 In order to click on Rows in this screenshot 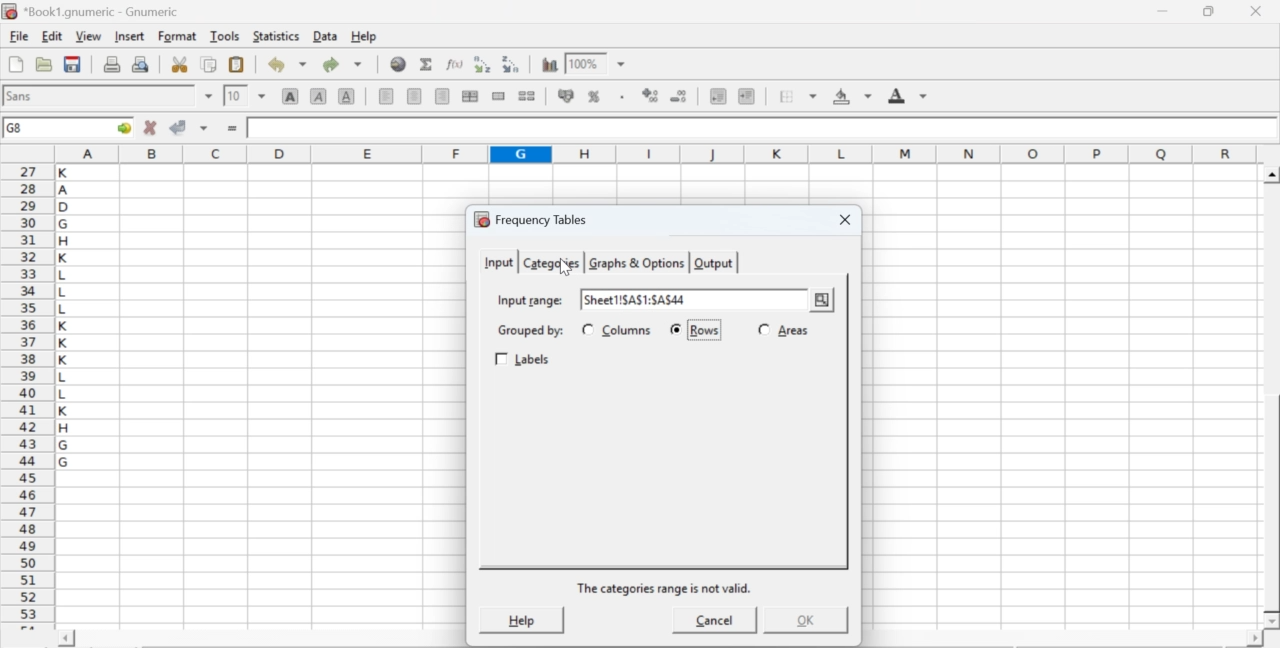, I will do `click(705, 331)`.